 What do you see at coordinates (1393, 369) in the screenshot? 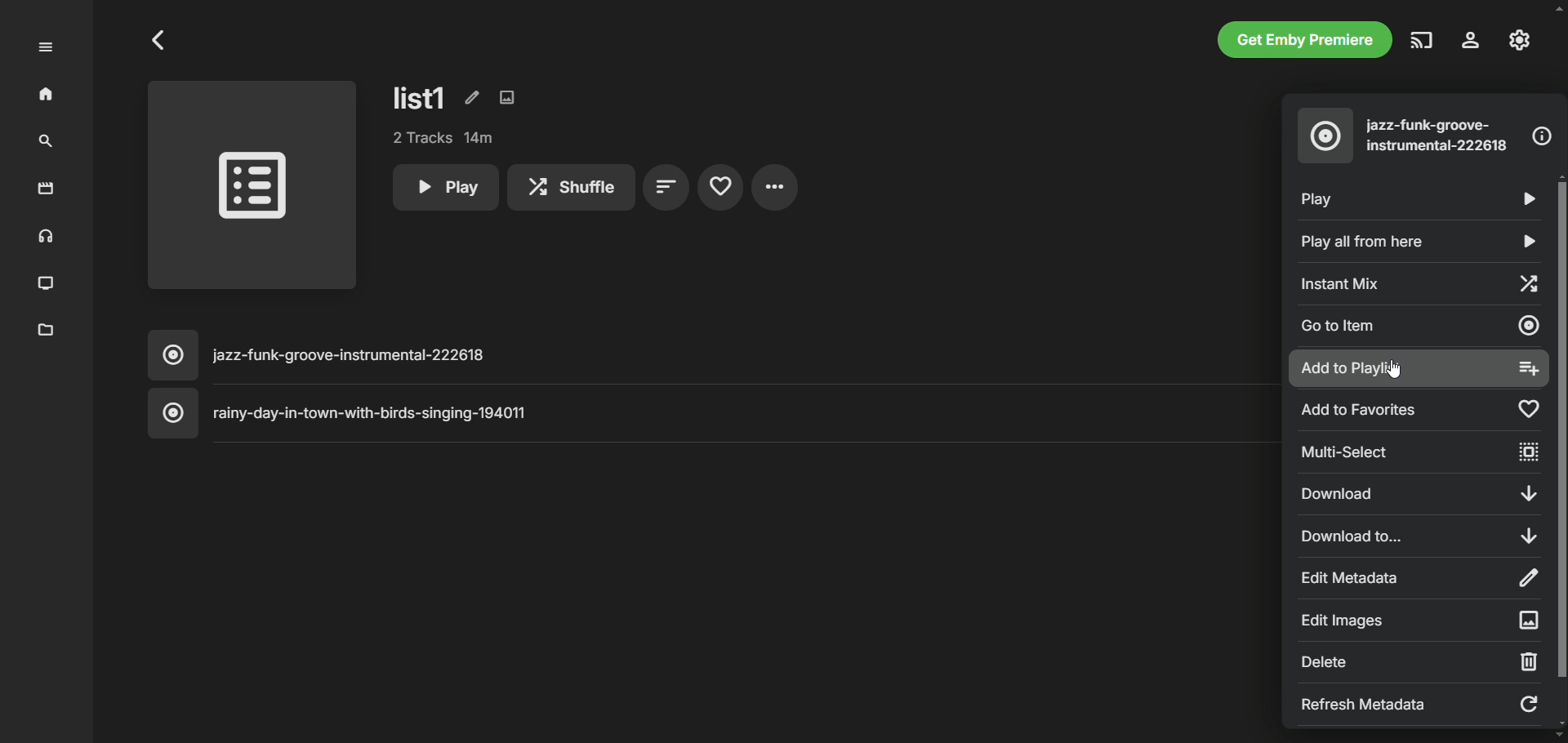
I see `Cursor` at bounding box center [1393, 369].